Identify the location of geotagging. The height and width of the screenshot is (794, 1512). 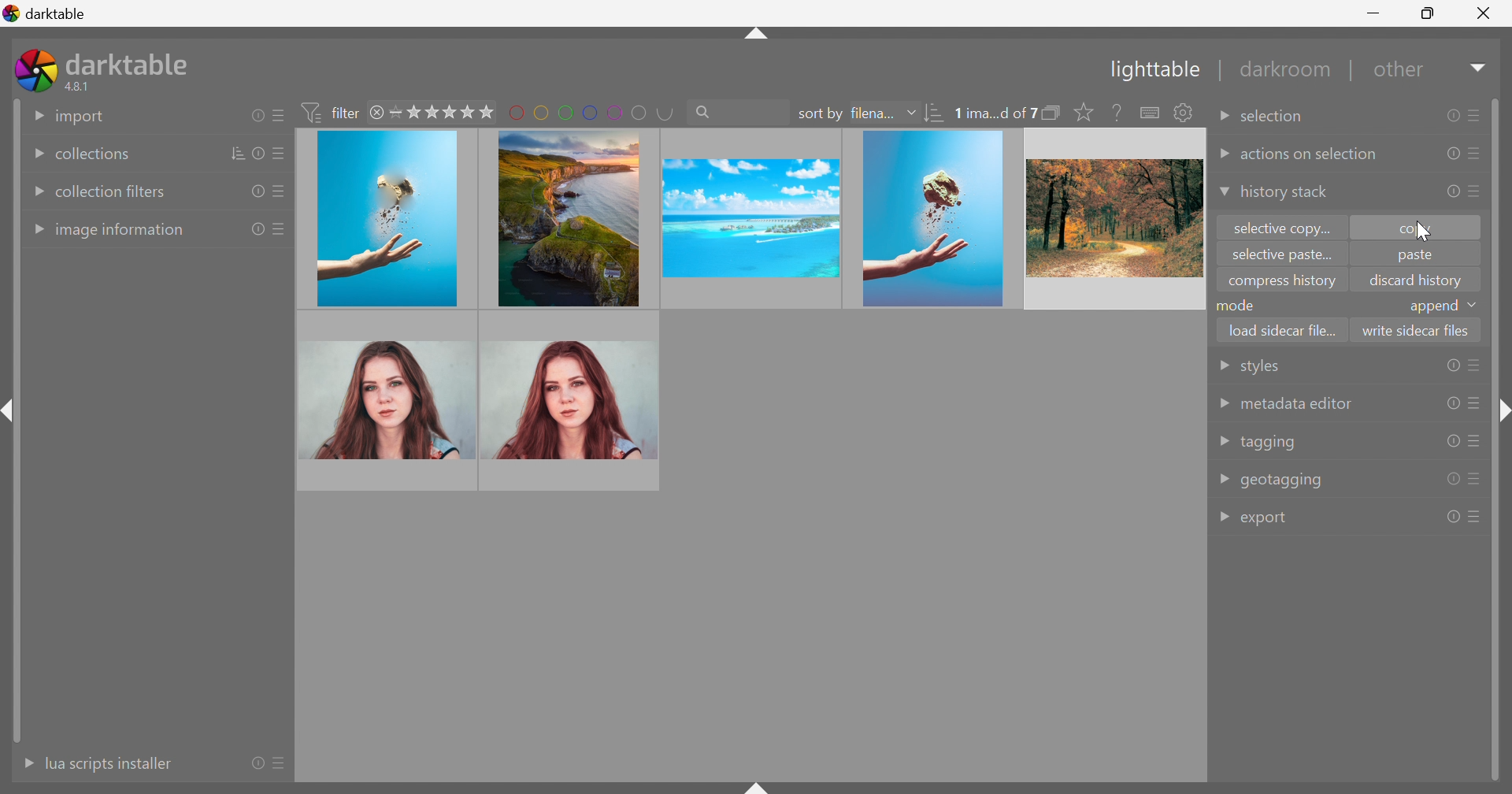
(1283, 480).